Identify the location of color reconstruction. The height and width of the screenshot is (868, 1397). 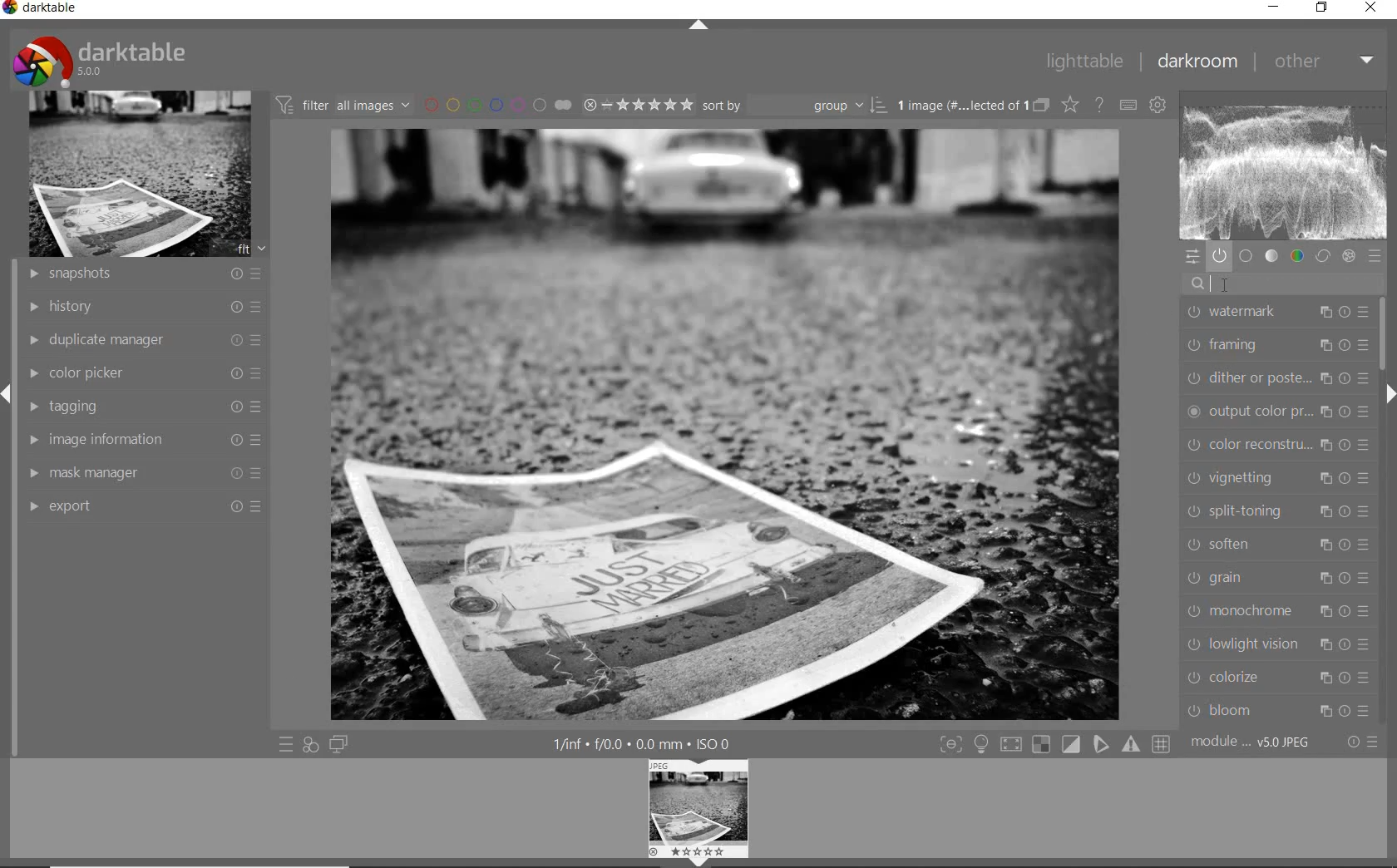
(1277, 446).